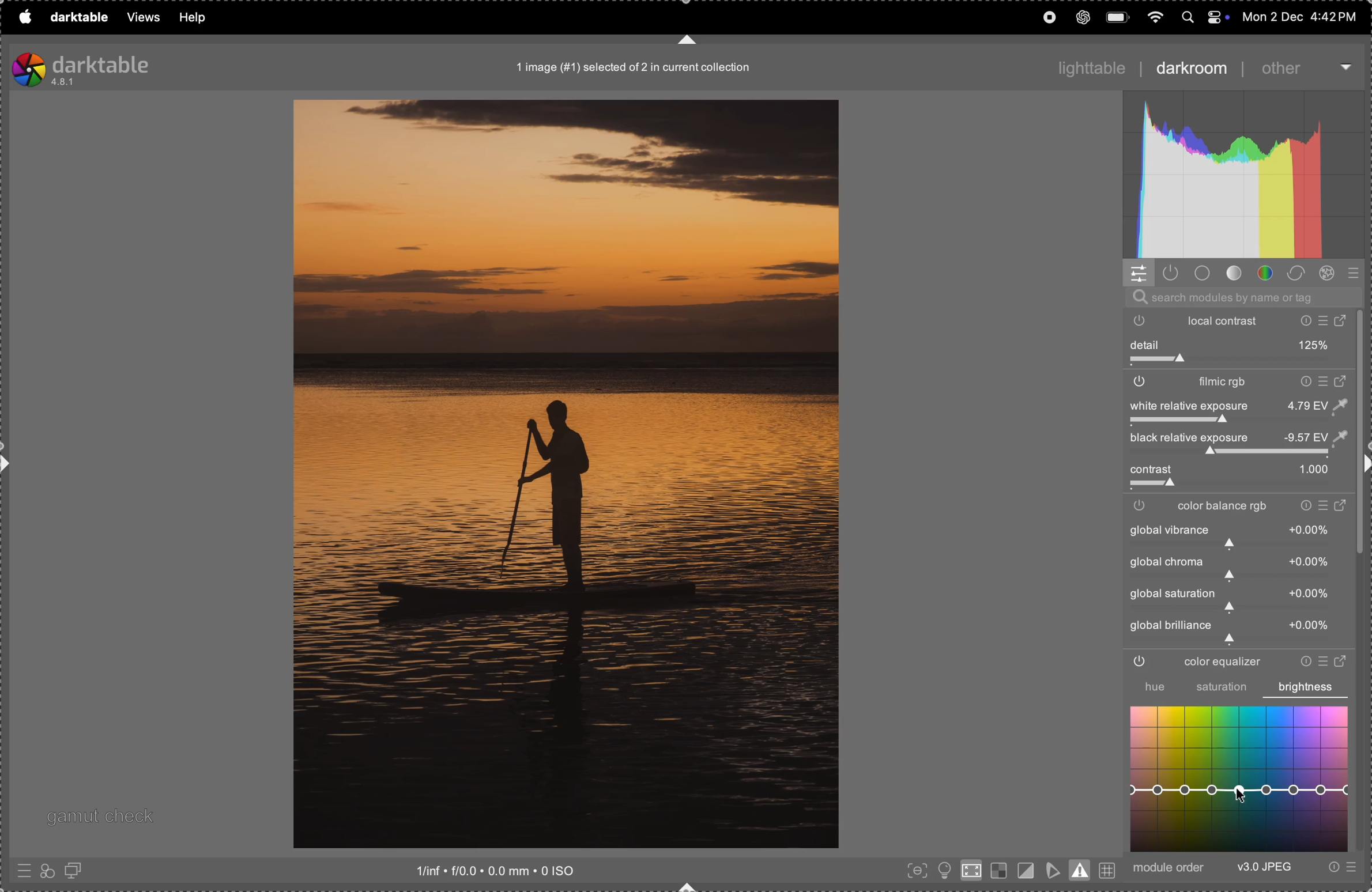 The image size is (1372, 892). What do you see at coordinates (47, 870) in the screenshot?
I see `apply filter` at bounding box center [47, 870].